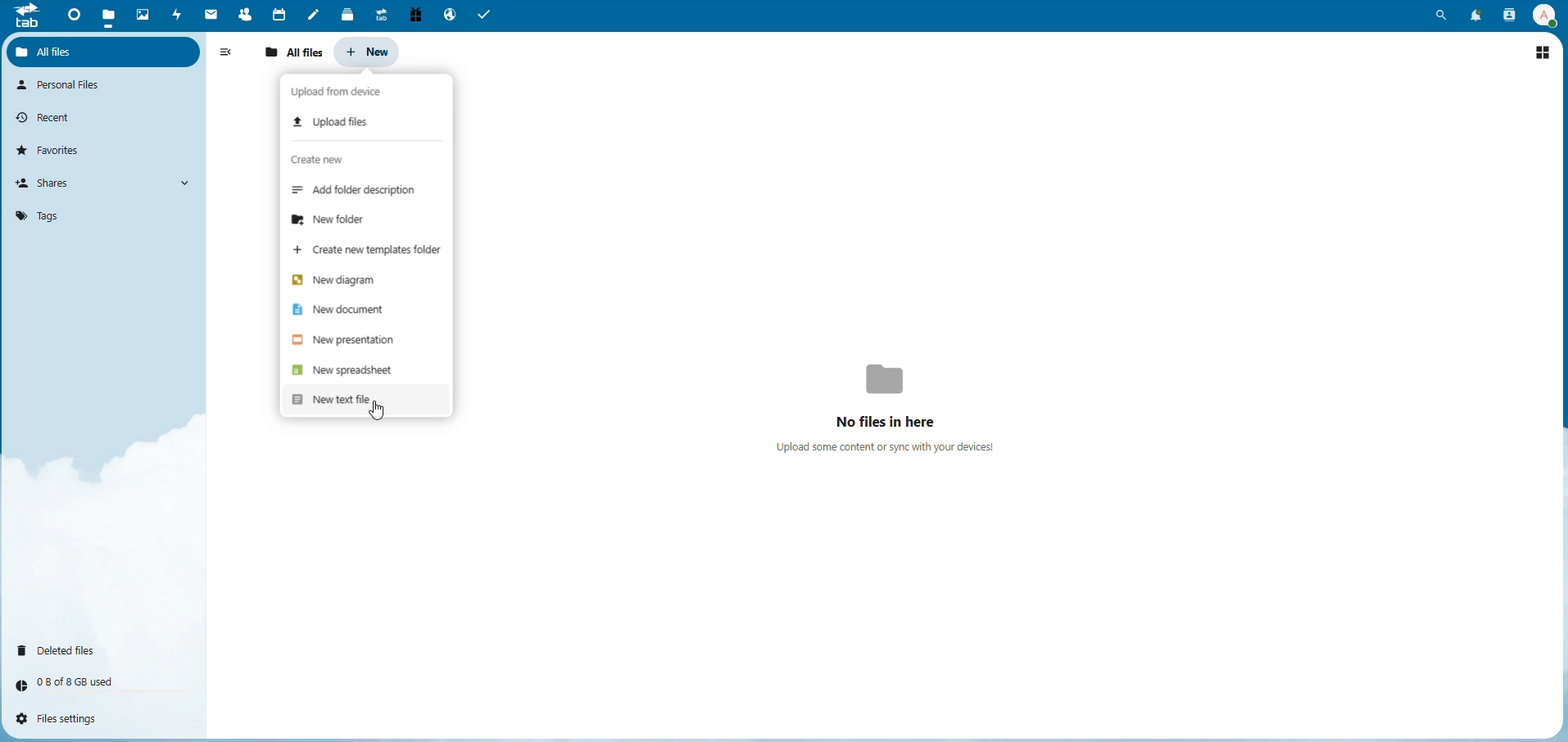 The height and width of the screenshot is (742, 1568). Describe the element at coordinates (376, 409) in the screenshot. I see `cursor` at that location.